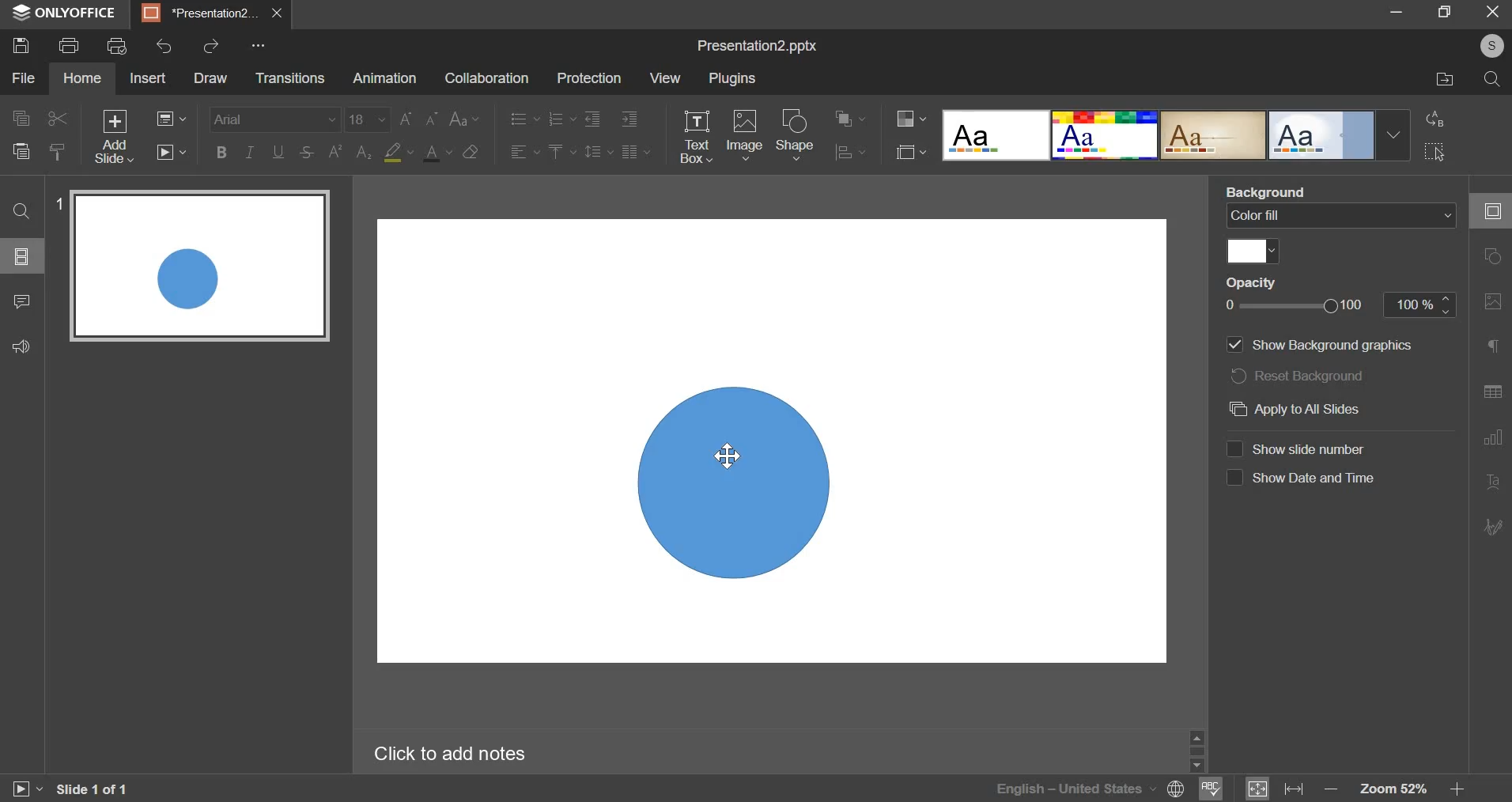 The width and height of the screenshot is (1512, 802). What do you see at coordinates (221, 152) in the screenshot?
I see `bold` at bounding box center [221, 152].